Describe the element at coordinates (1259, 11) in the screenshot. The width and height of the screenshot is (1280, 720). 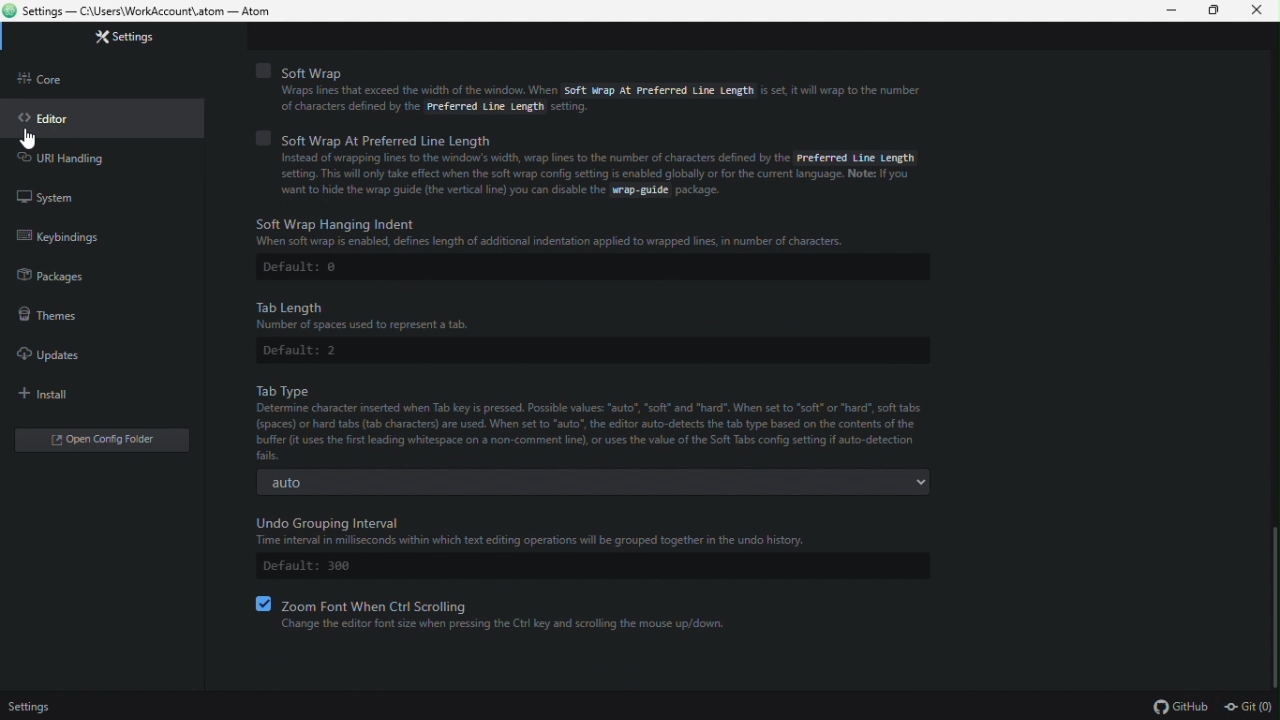
I see `Close` at that location.